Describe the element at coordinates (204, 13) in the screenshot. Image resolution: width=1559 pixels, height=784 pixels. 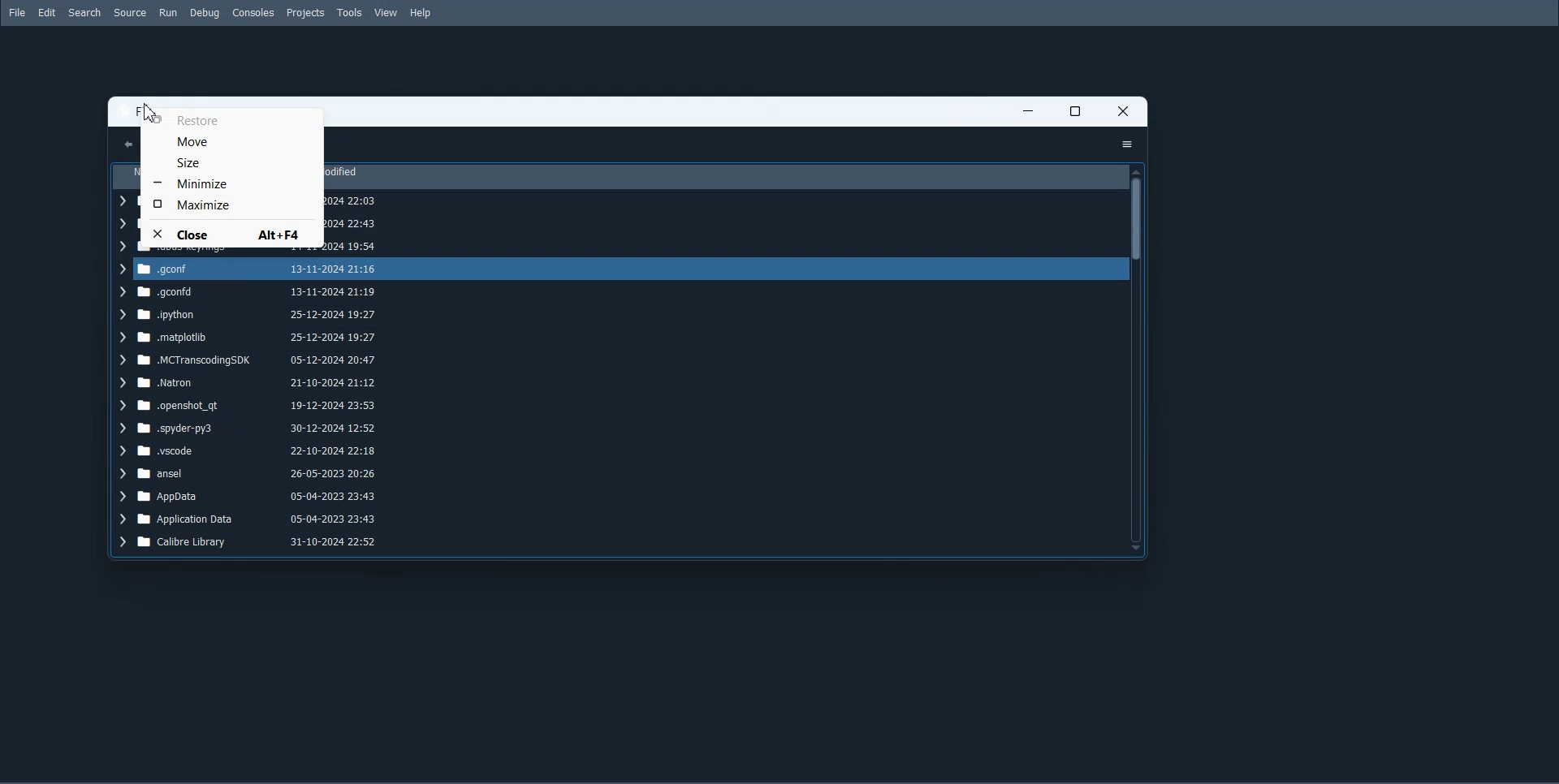
I see `Debug` at that location.